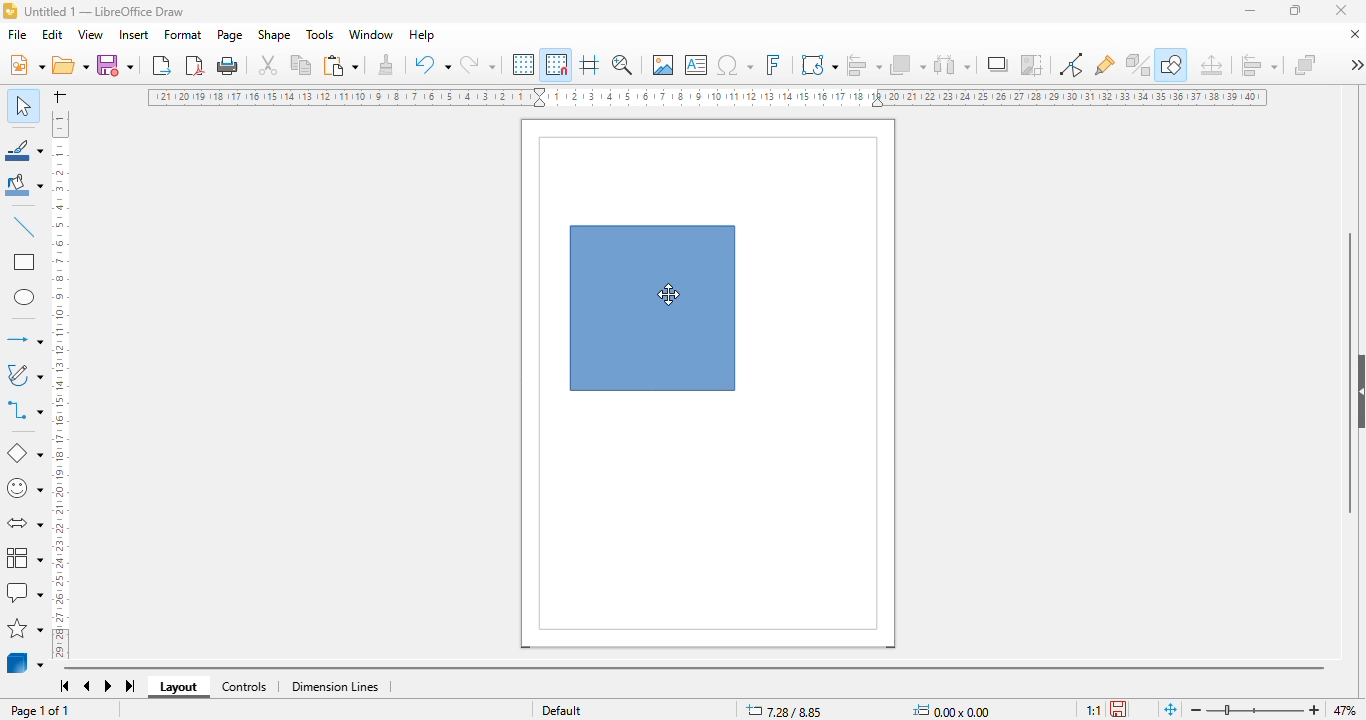 The width and height of the screenshot is (1366, 720). Describe the element at coordinates (23, 339) in the screenshot. I see `lines and arrows` at that location.